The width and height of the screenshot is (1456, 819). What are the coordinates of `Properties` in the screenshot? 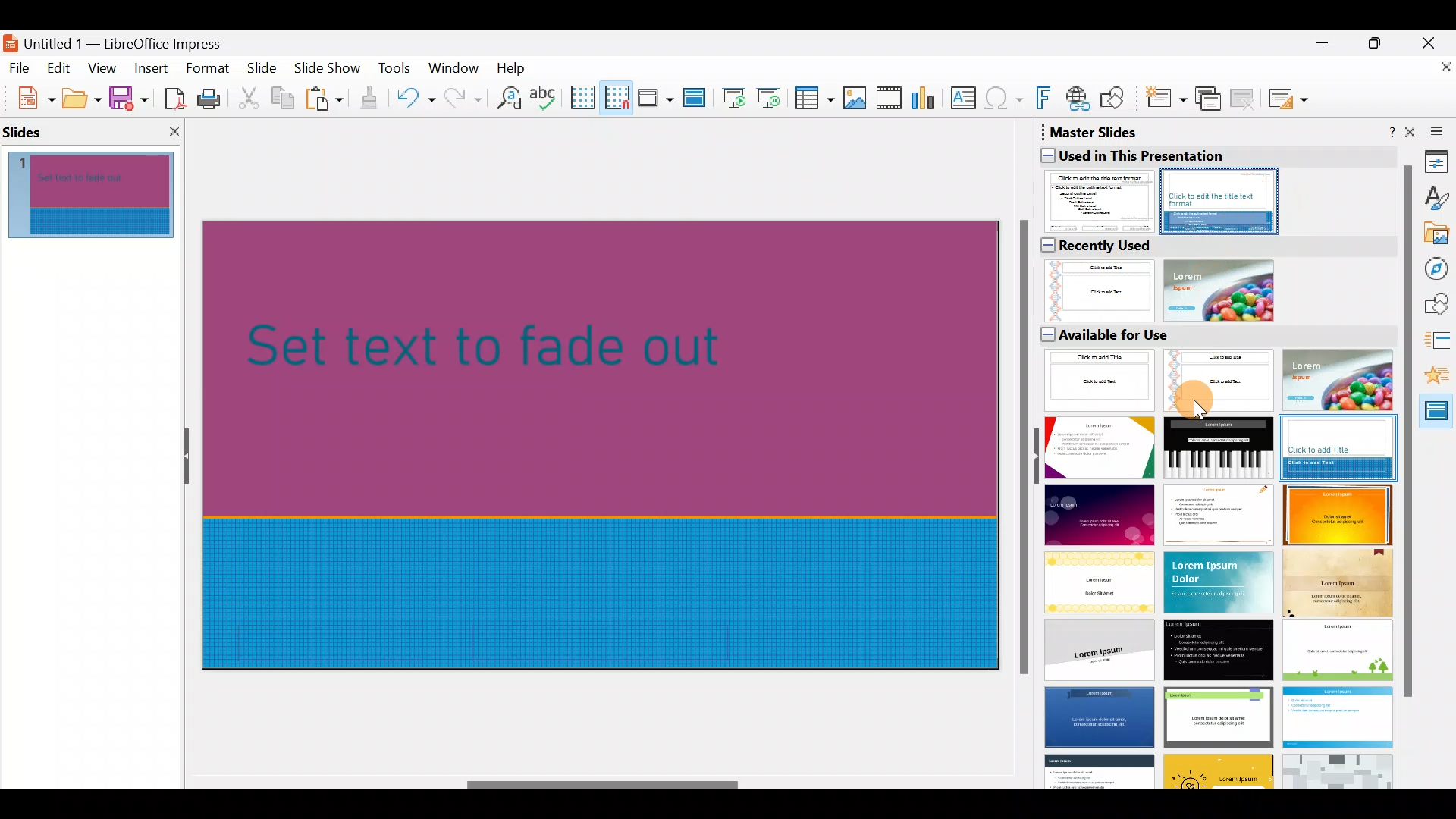 It's located at (1437, 161).